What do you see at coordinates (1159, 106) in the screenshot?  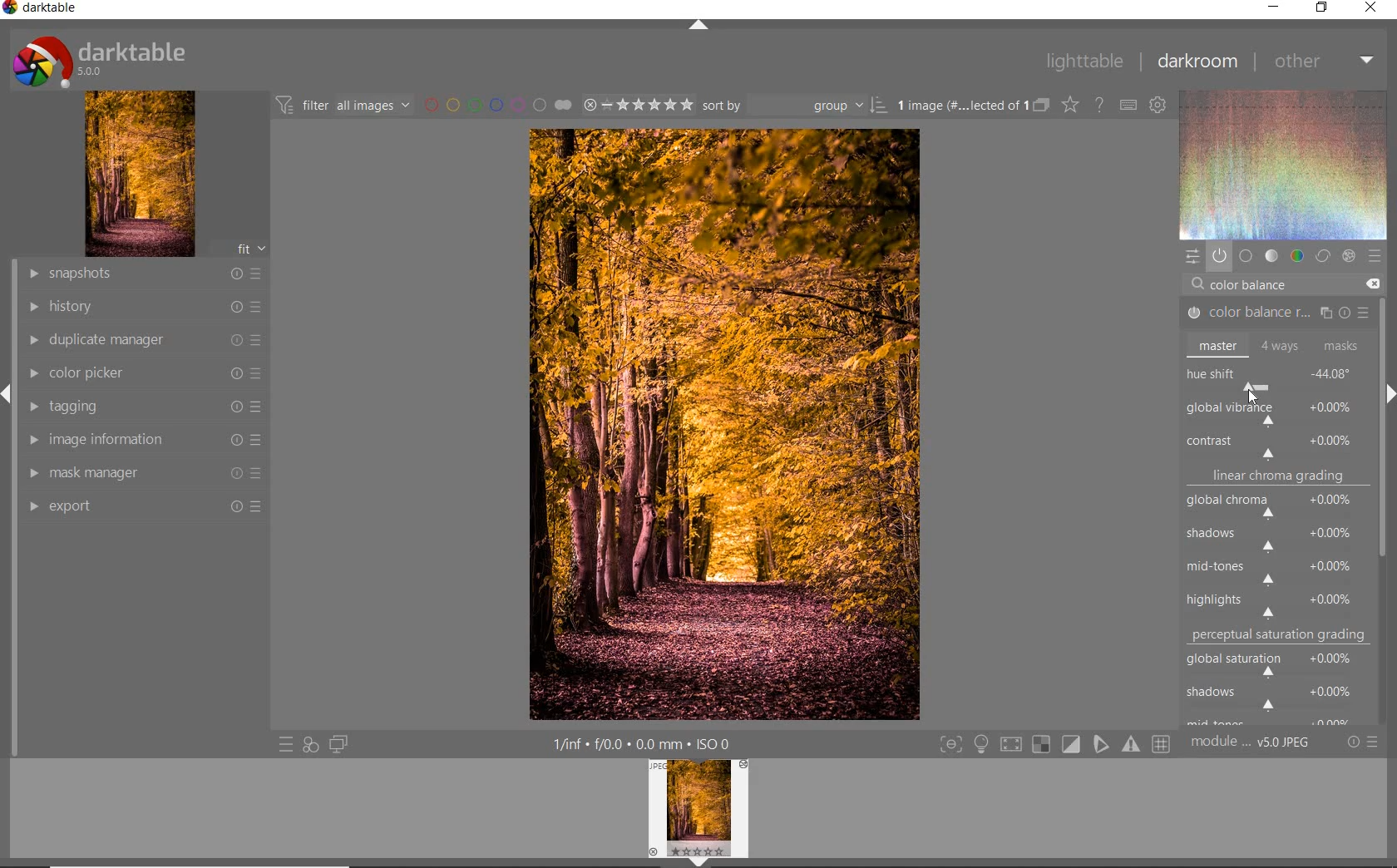 I see `show global preference` at bounding box center [1159, 106].